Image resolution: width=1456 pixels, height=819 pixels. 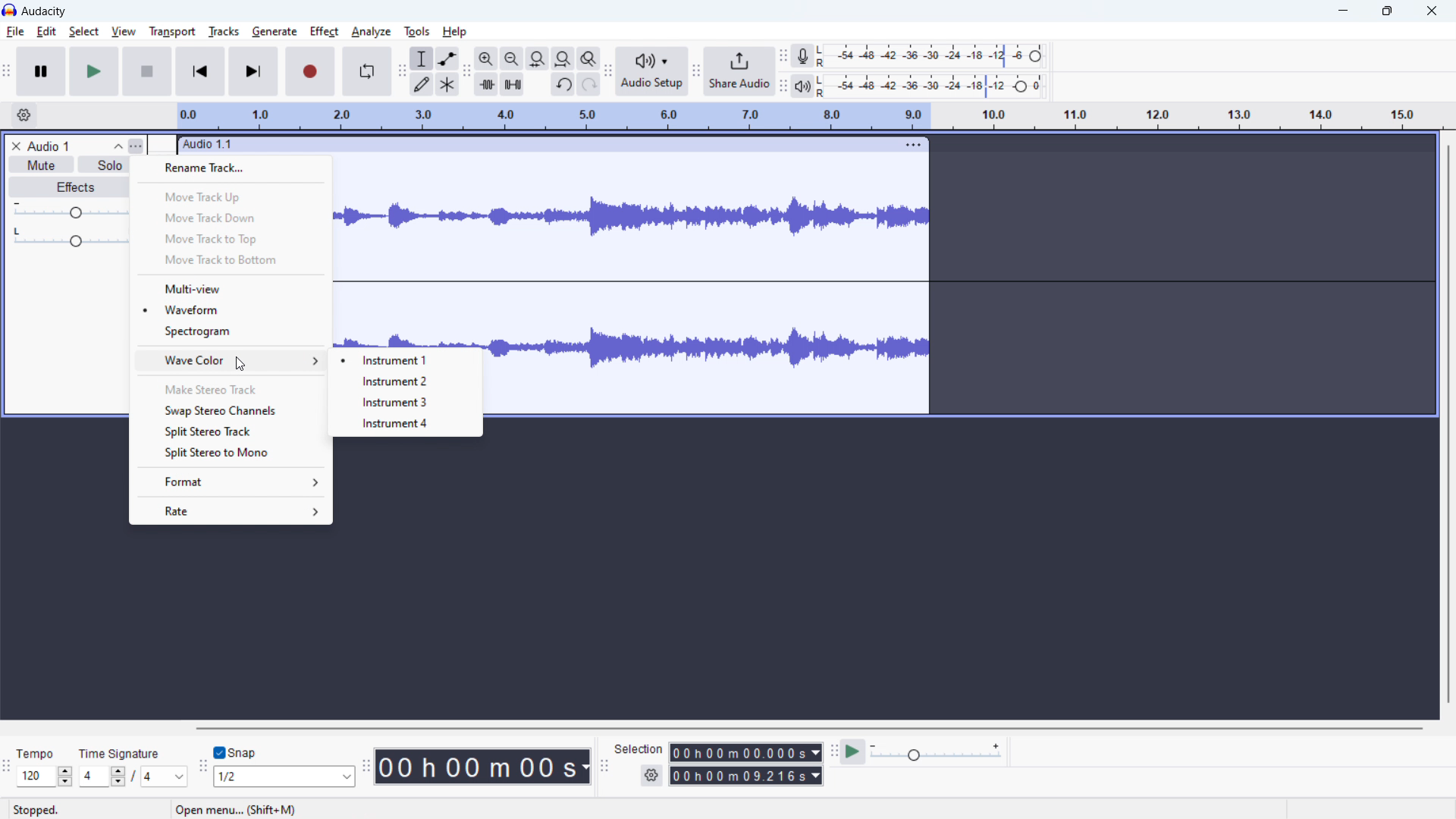 I want to click on undo, so click(x=563, y=84).